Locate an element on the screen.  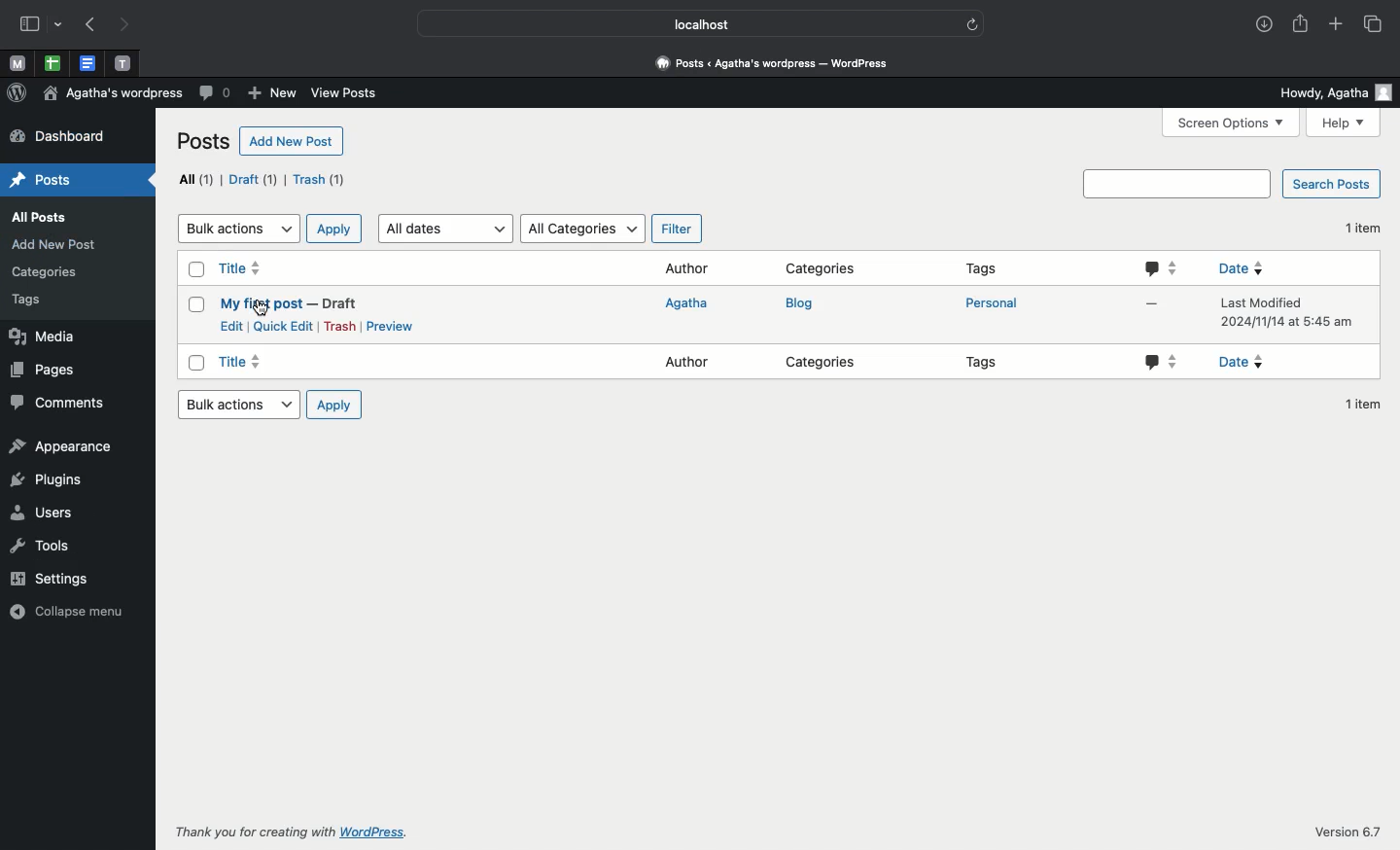
pinned tabs is located at coordinates (126, 64).